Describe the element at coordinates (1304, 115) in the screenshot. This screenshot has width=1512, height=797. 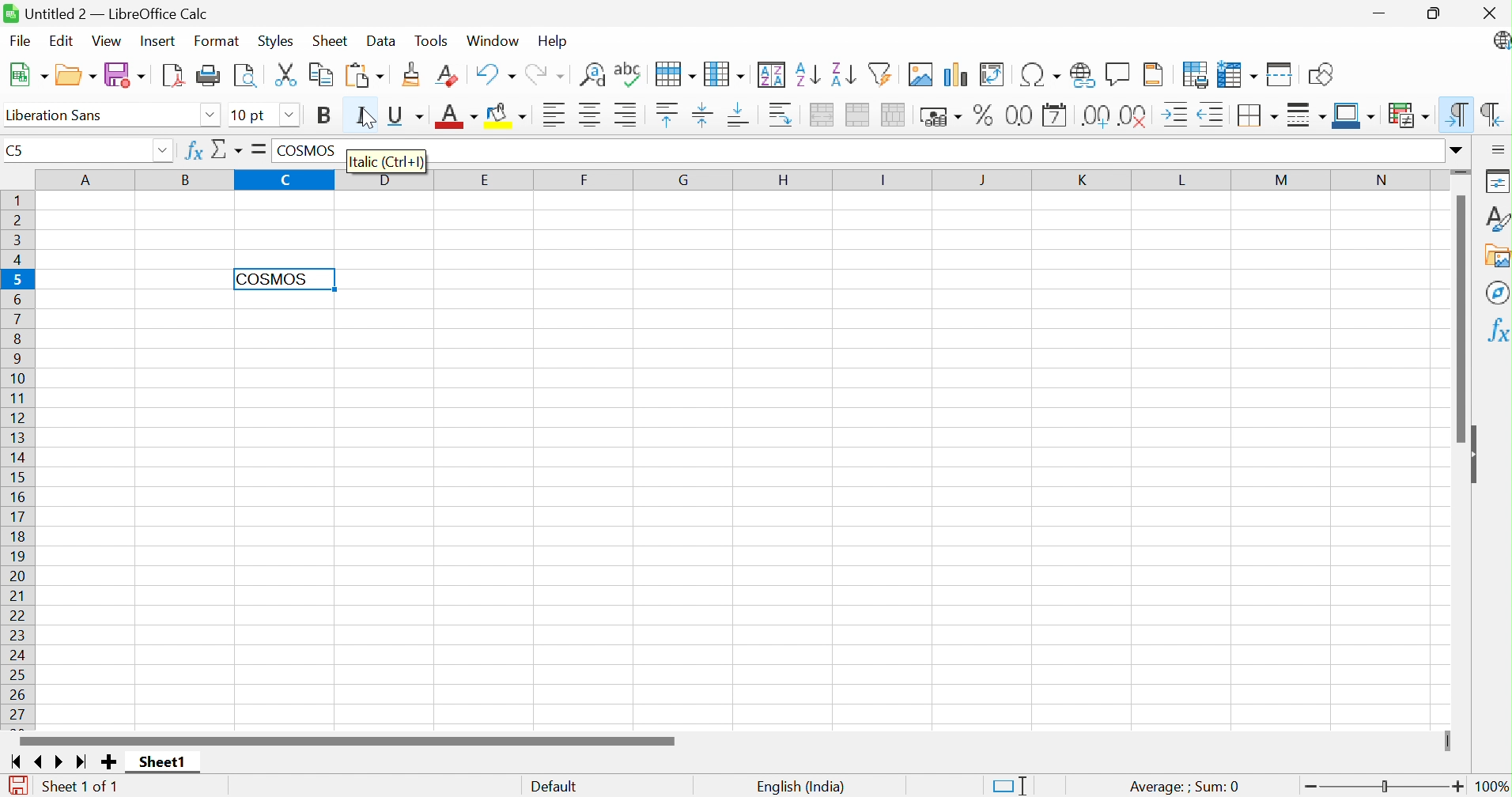
I see `Border style` at that location.